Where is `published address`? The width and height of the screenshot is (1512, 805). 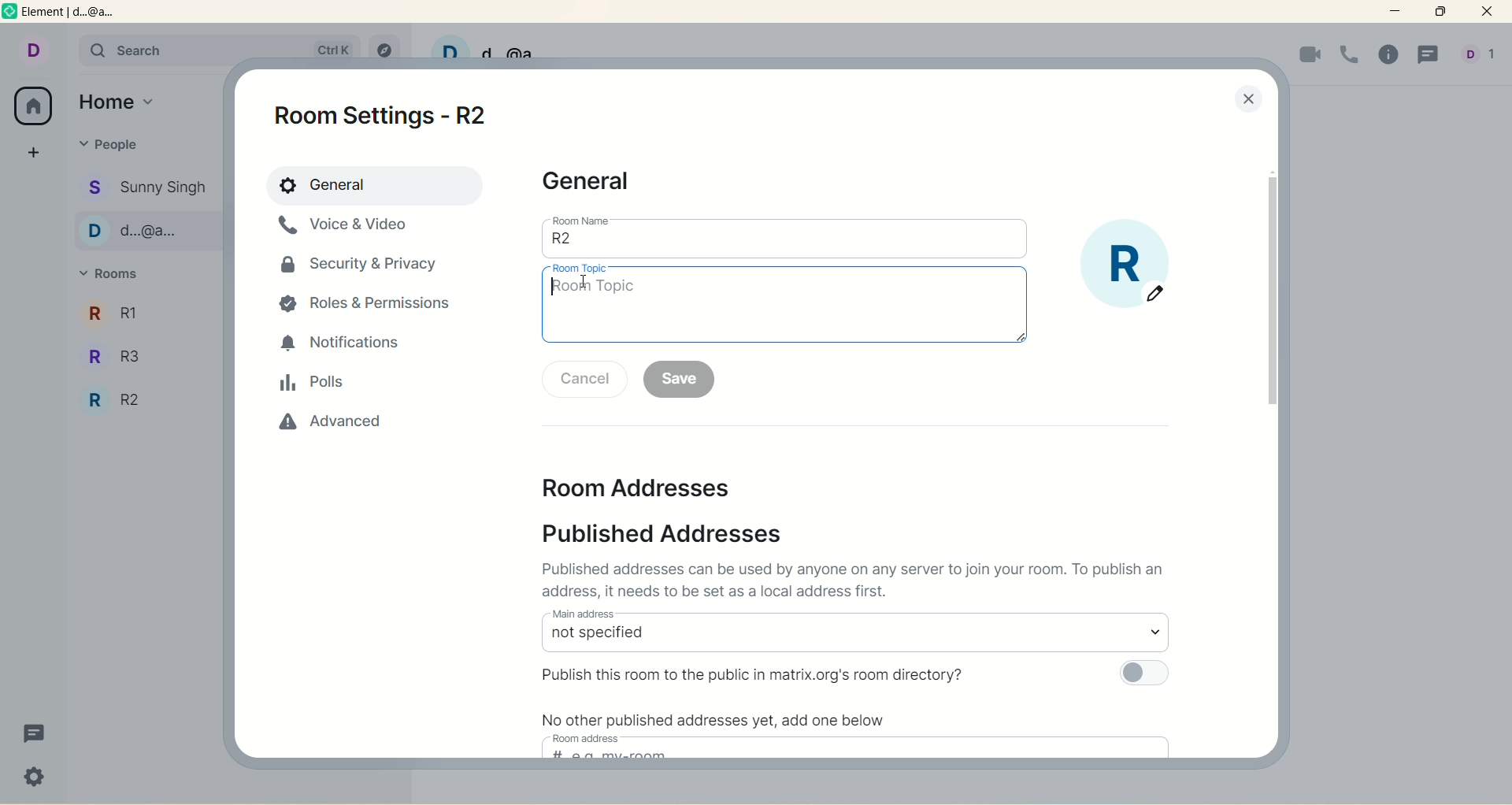
published address is located at coordinates (676, 533).